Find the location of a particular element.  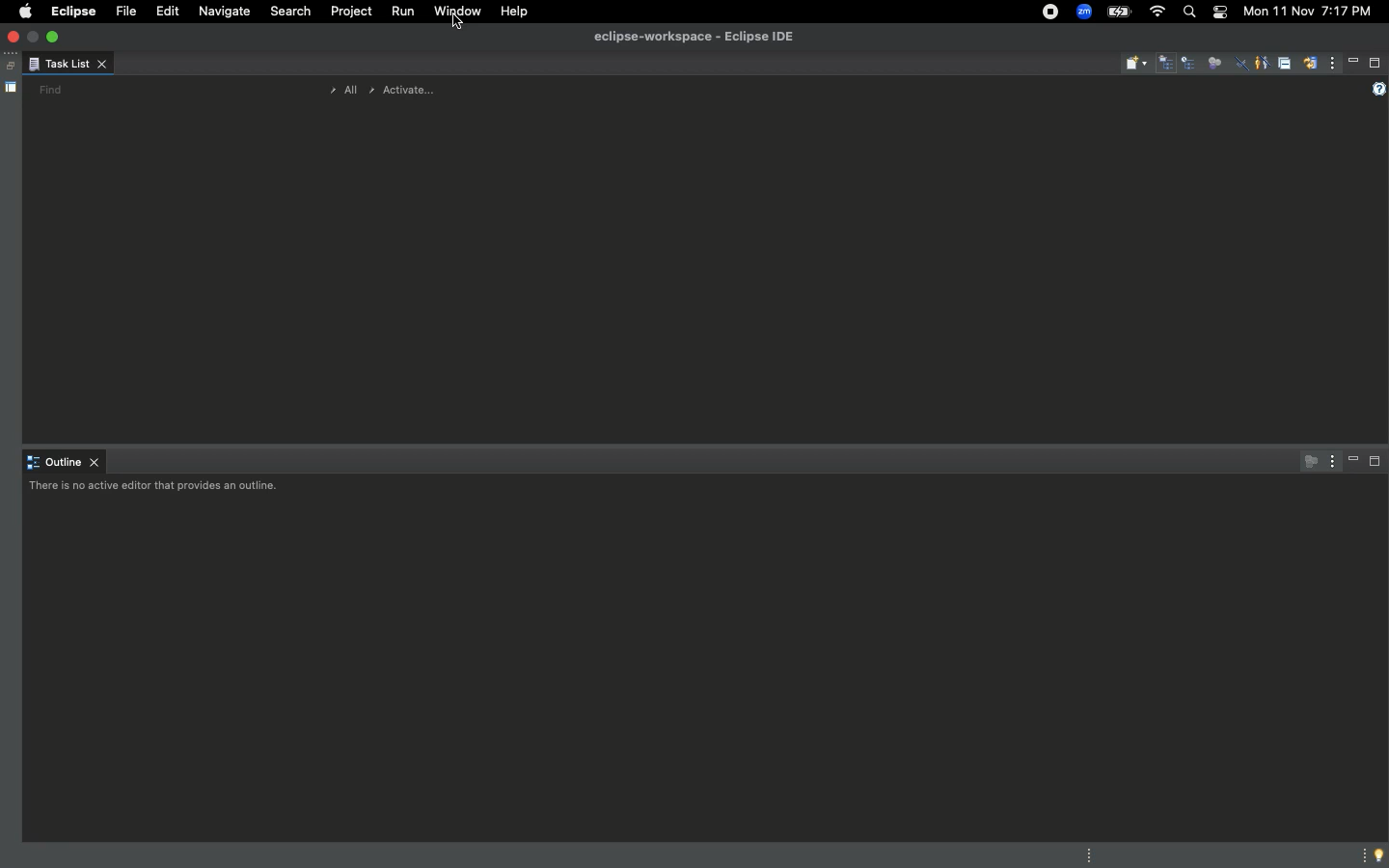

Zoom is located at coordinates (1084, 12).